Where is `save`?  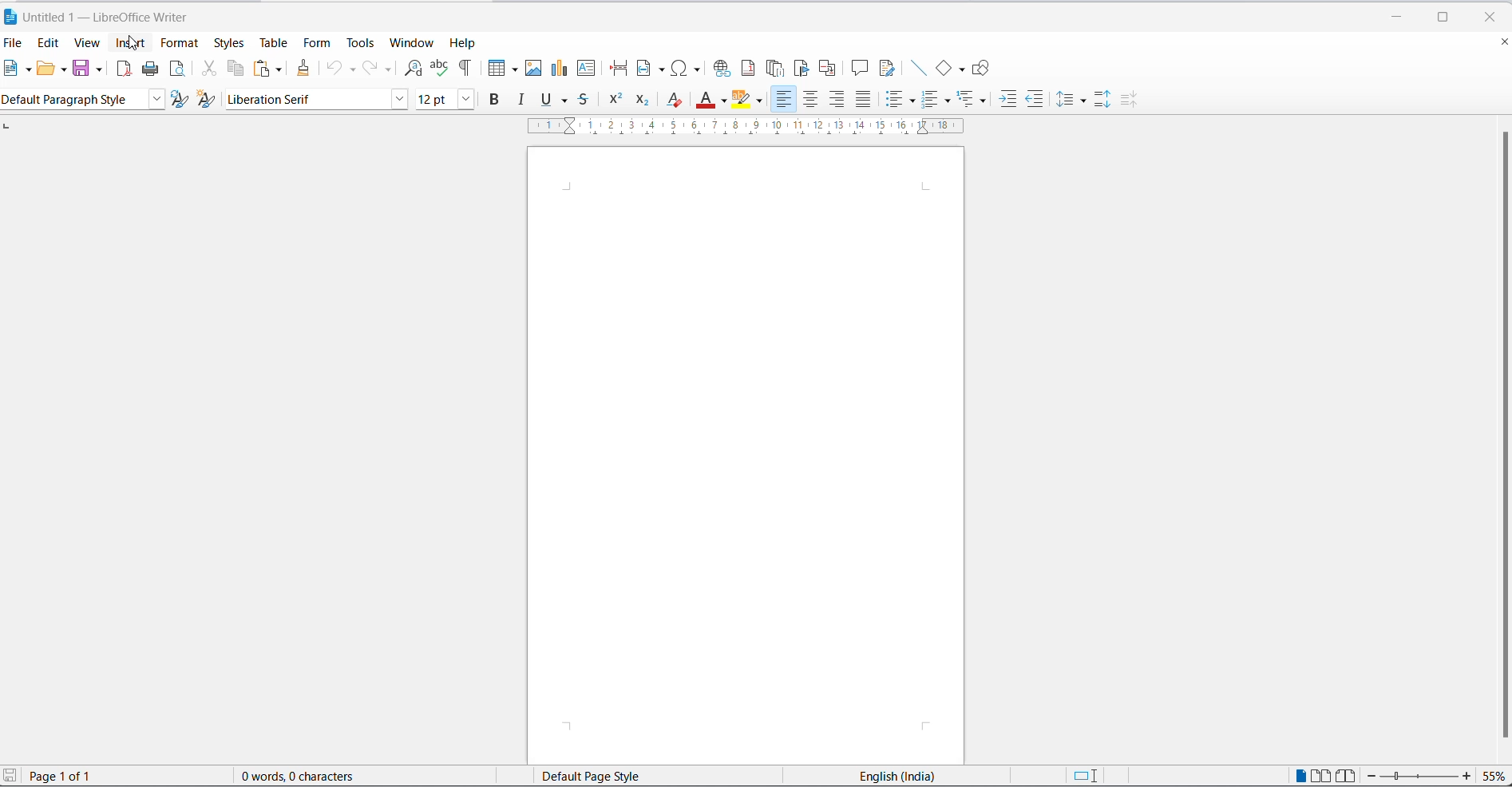 save is located at coordinates (80, 68).